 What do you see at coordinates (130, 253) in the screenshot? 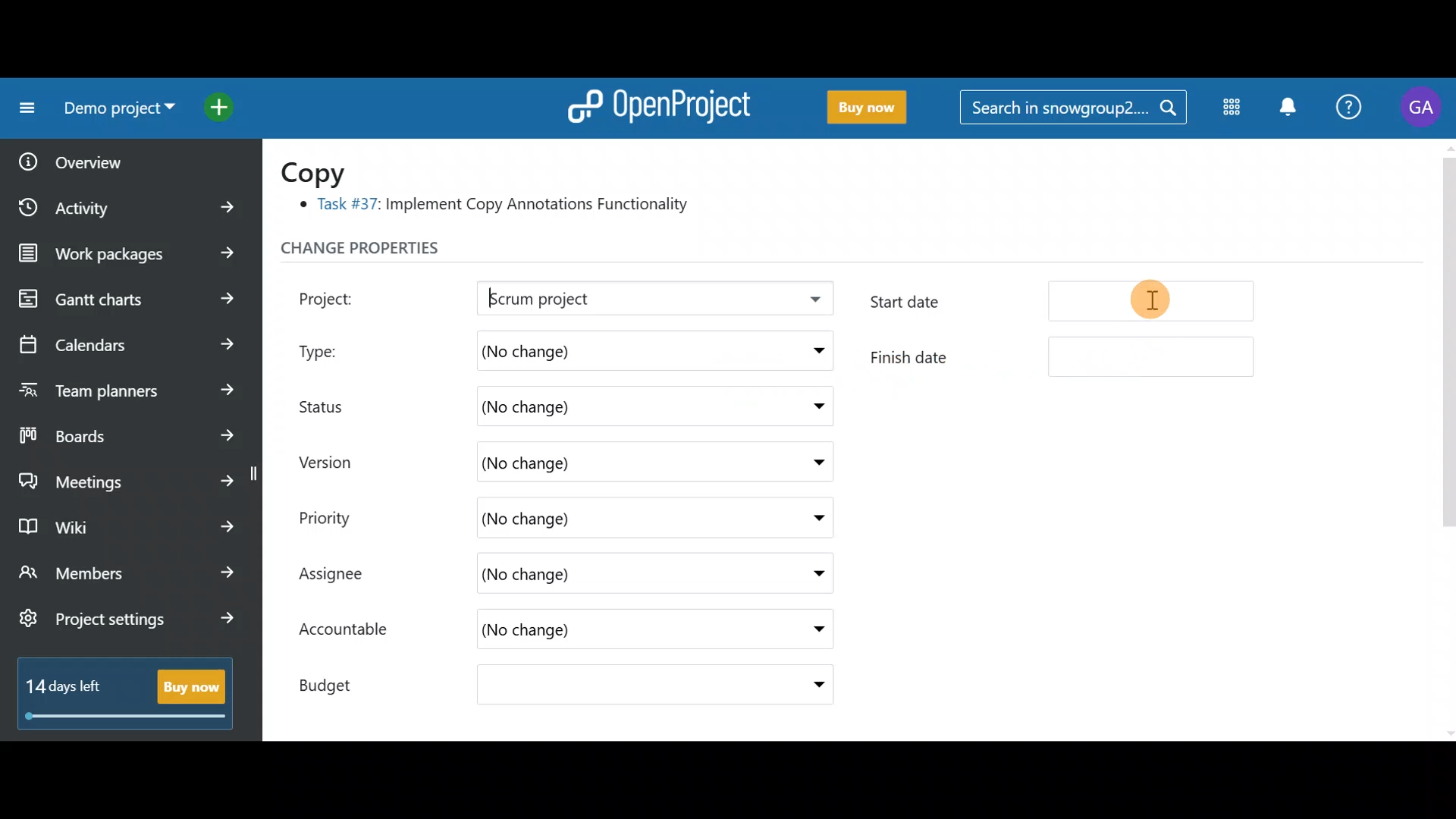
I see `Work packages` at bounding box center [130, 253].